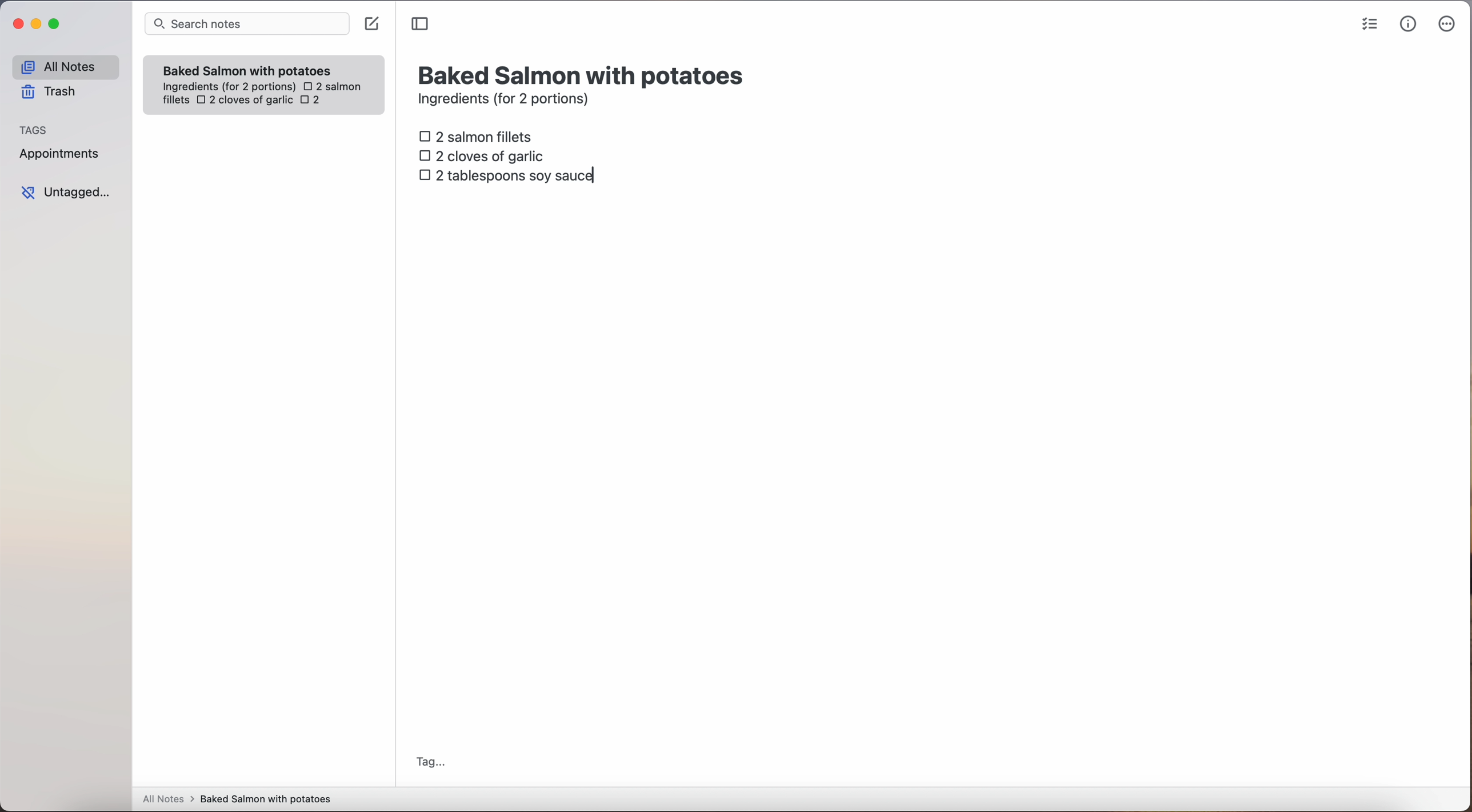 The width and height of the screenshot is (1472, 812). Describe the element at coordinates (53, 92) in the screenshot. I see `trash` at that location.